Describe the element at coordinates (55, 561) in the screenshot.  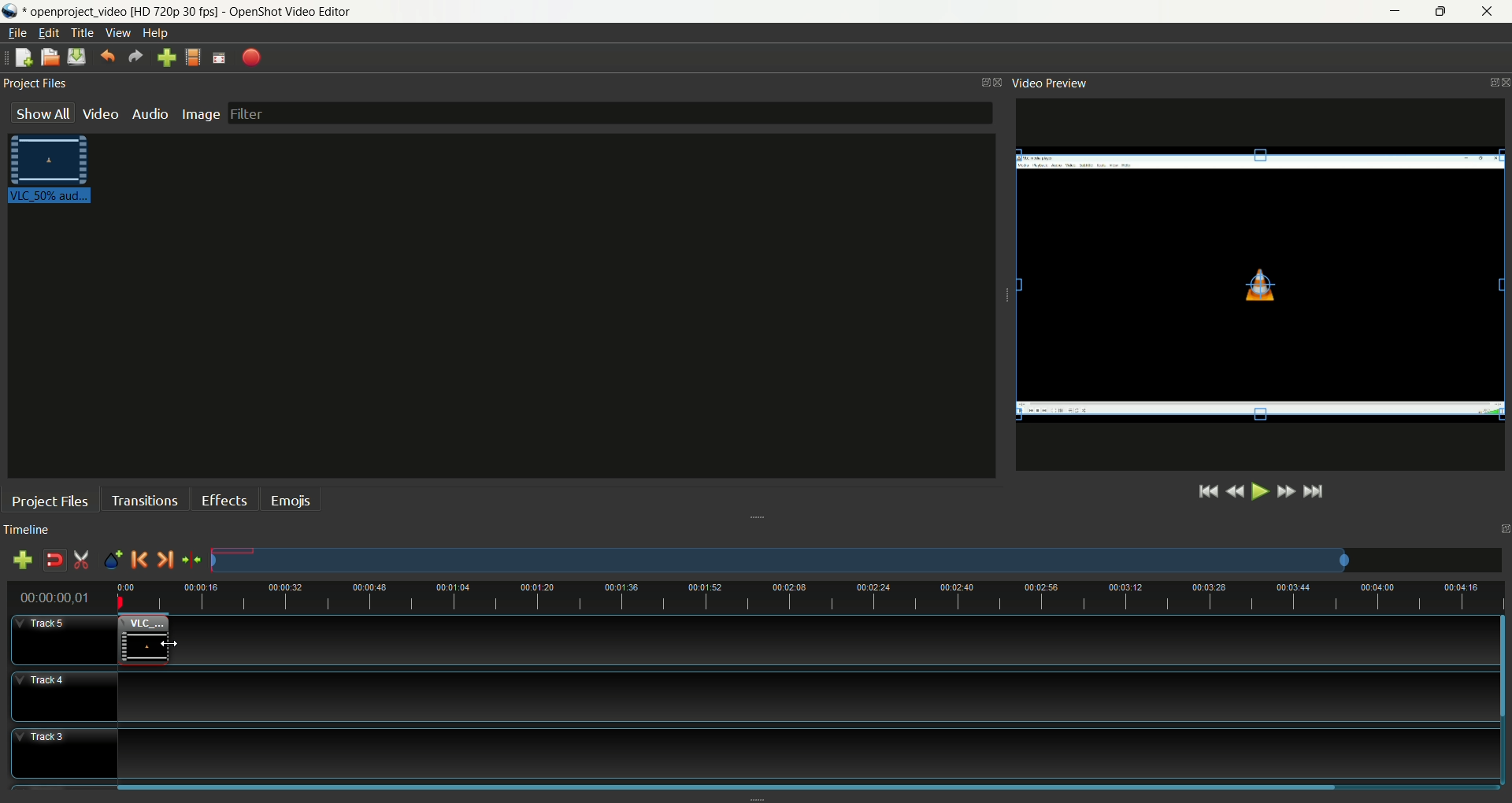
I see `disable snapping` at that location.